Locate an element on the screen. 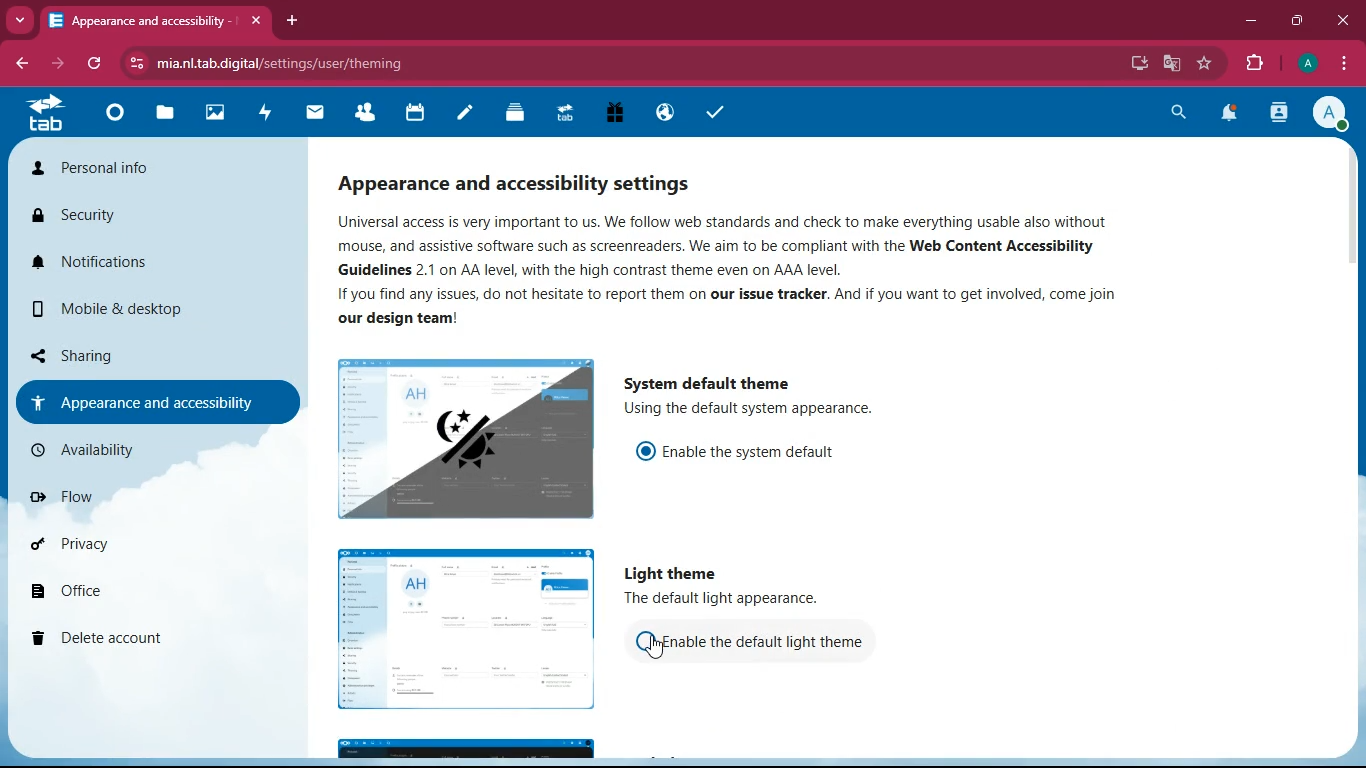 This screenshot has height=768, width=1366. sharing is located at coordinates (143, 354).